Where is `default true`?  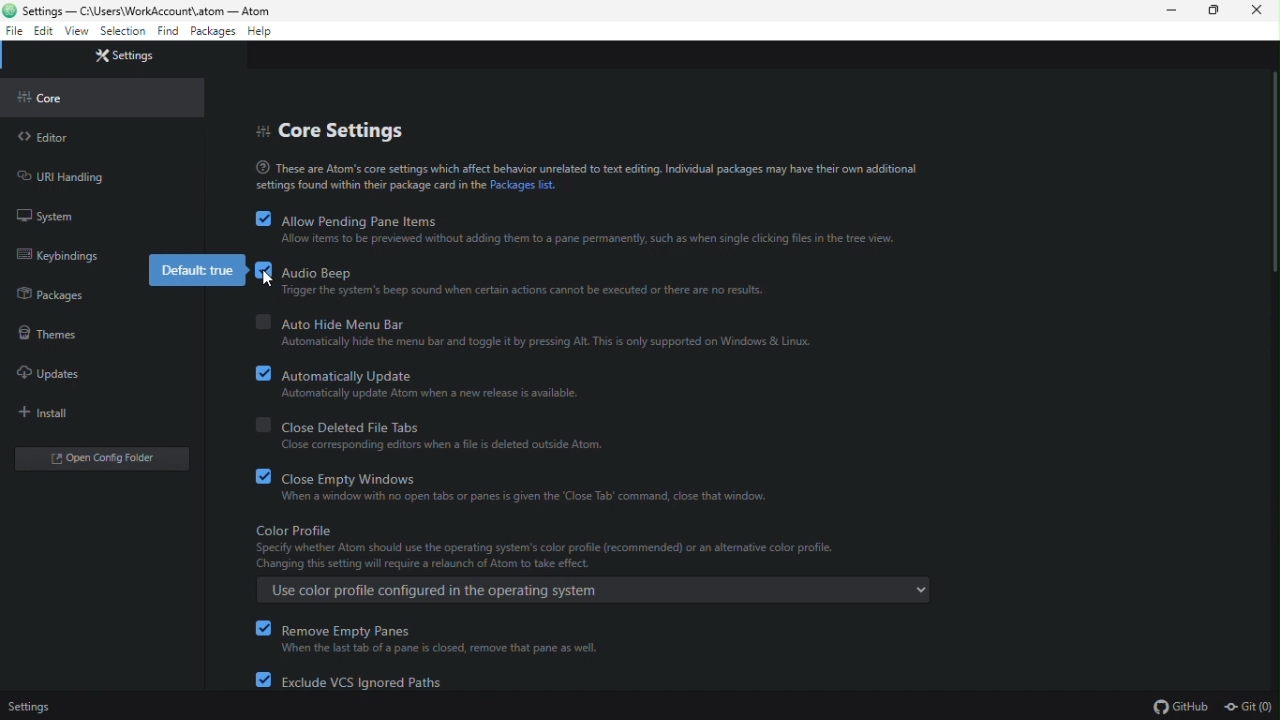 default true is located at coordinates (198, 269).